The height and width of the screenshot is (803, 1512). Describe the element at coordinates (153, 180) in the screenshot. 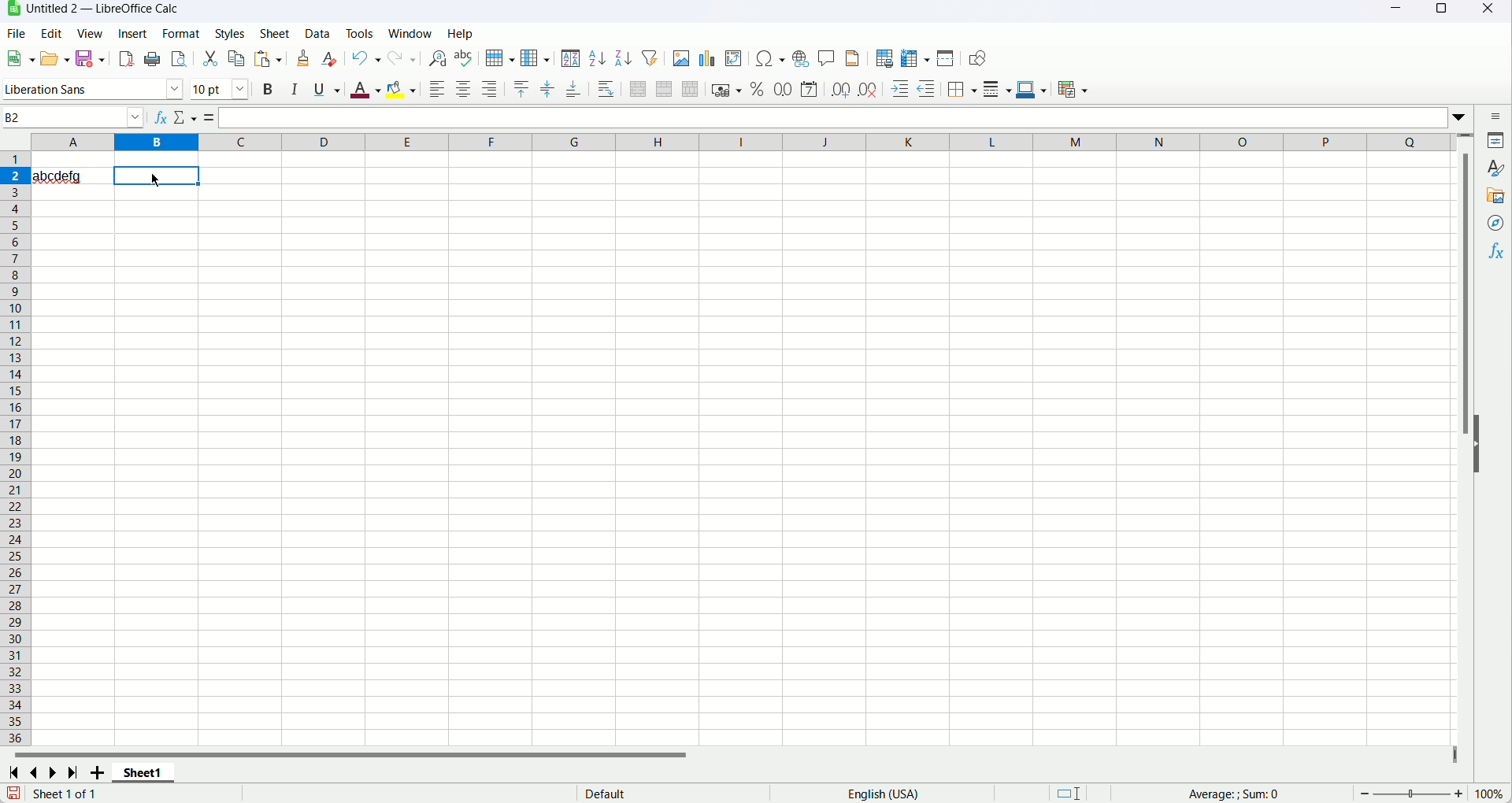

I see `cursor` at that location.